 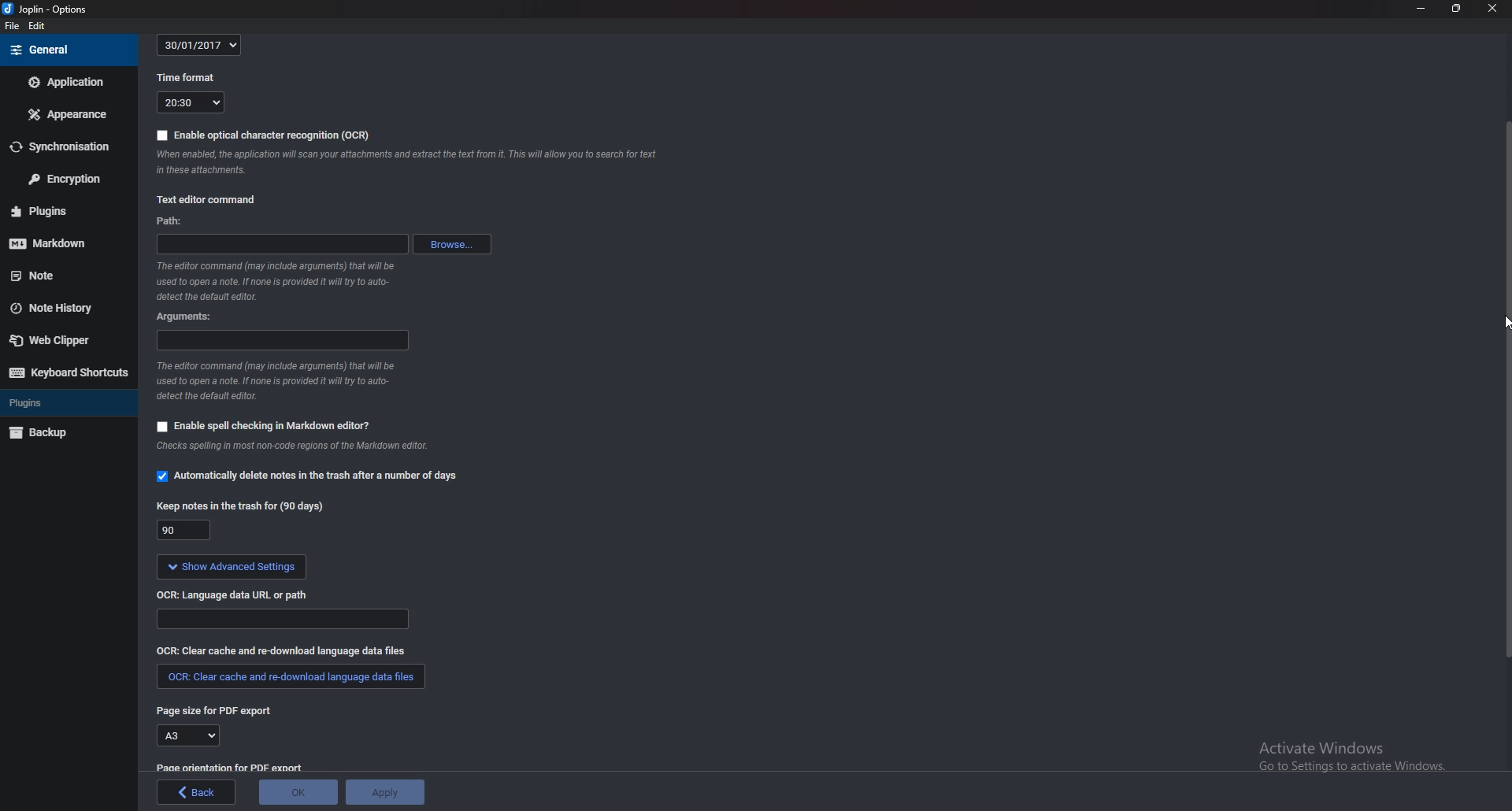 I want to click on Back up, so click(x=69, y=434).